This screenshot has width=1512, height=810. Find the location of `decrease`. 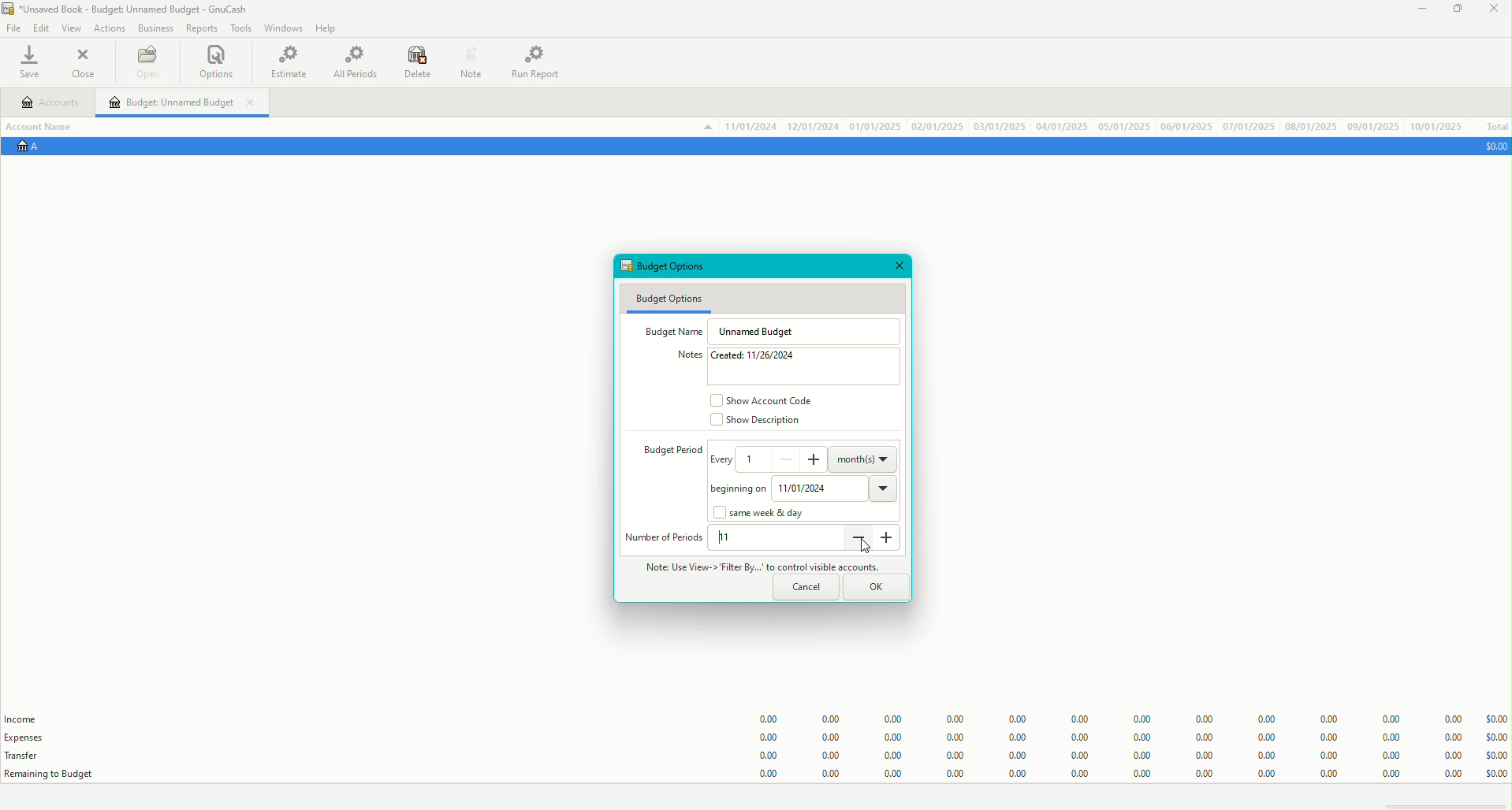

decrease is located at coordinates (858, 538).